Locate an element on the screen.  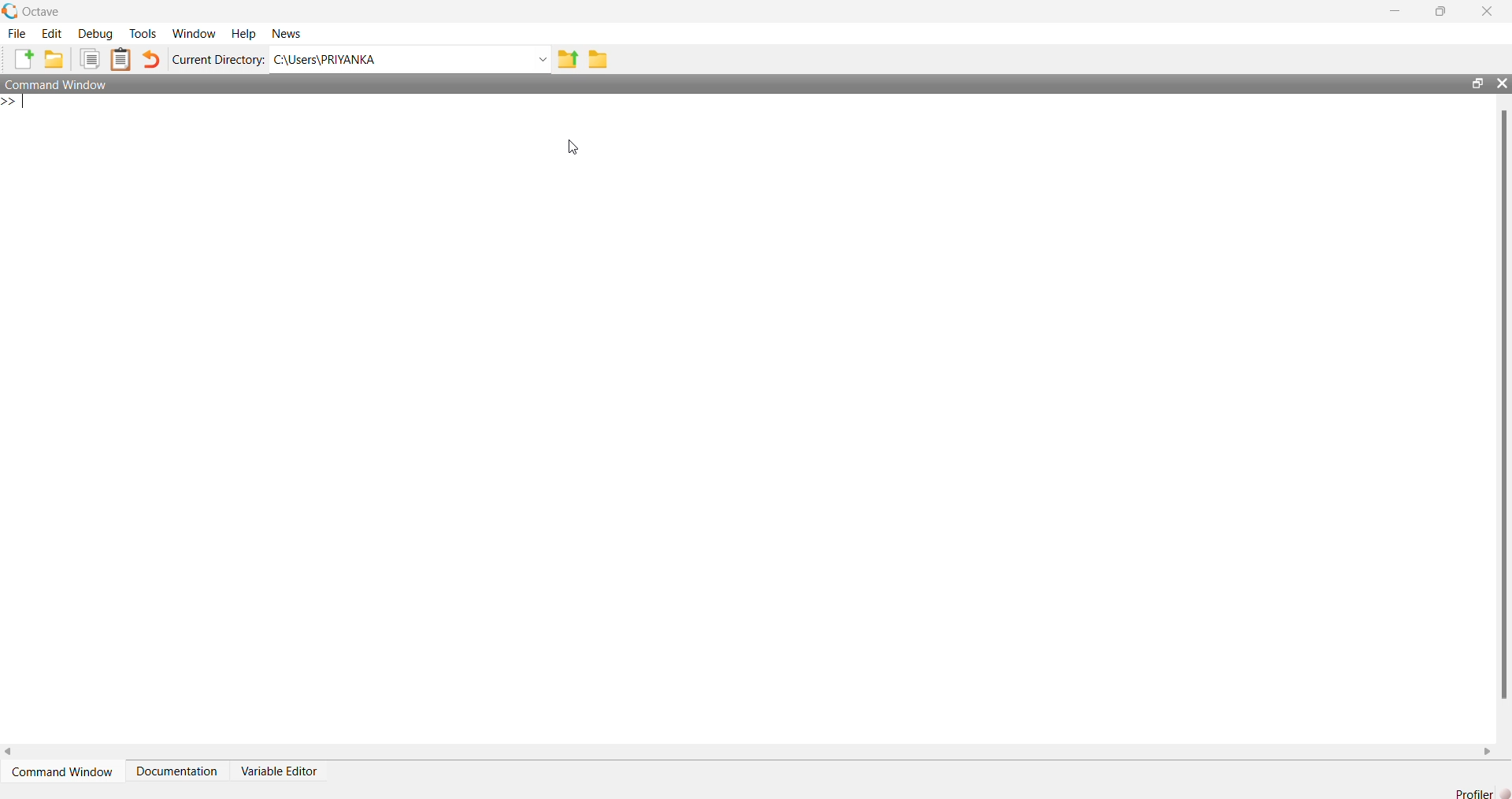
Current Directory: is located at coordinates (218, 60).